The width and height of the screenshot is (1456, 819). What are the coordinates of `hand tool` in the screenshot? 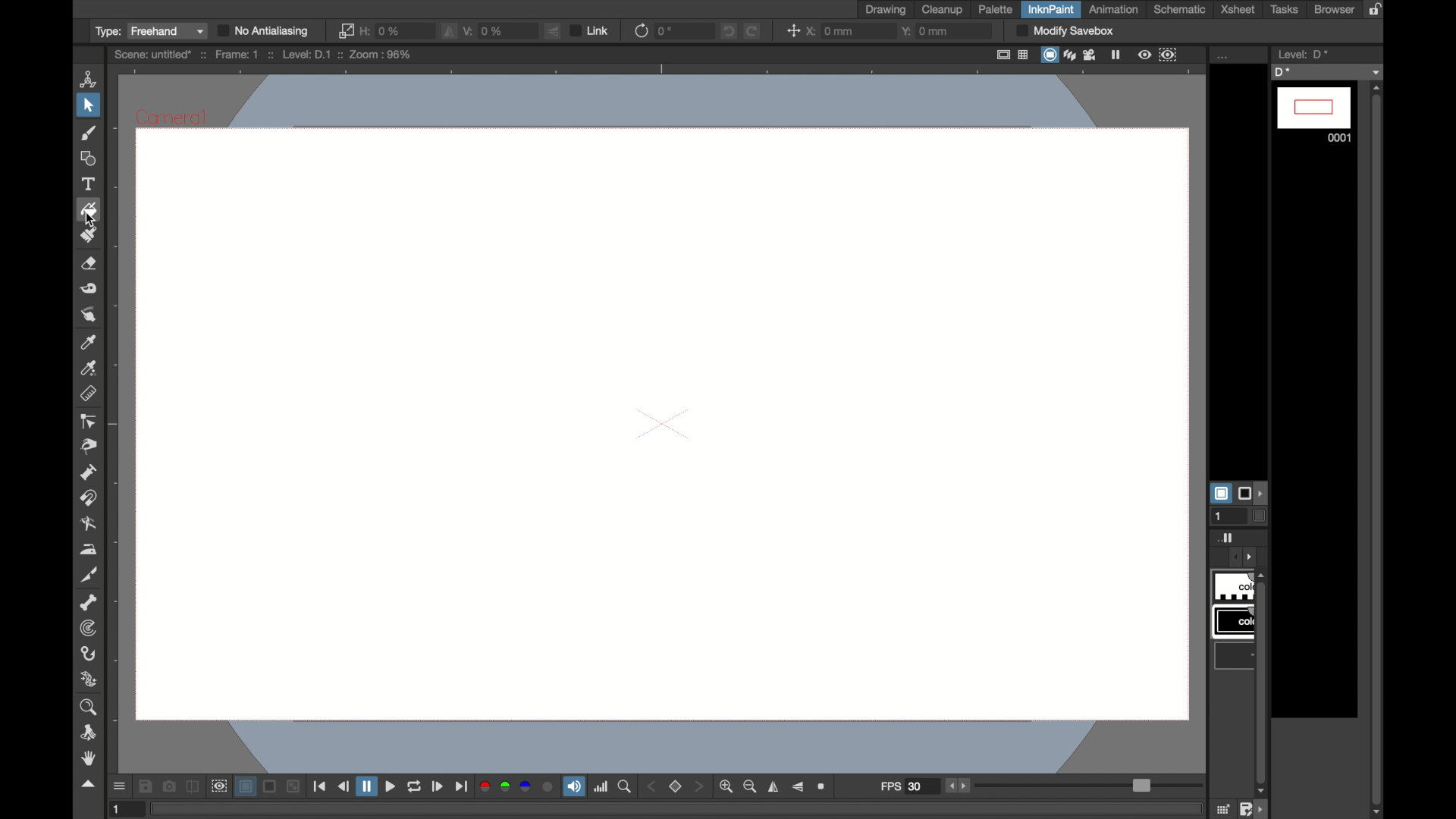 It's located at (89, 759).